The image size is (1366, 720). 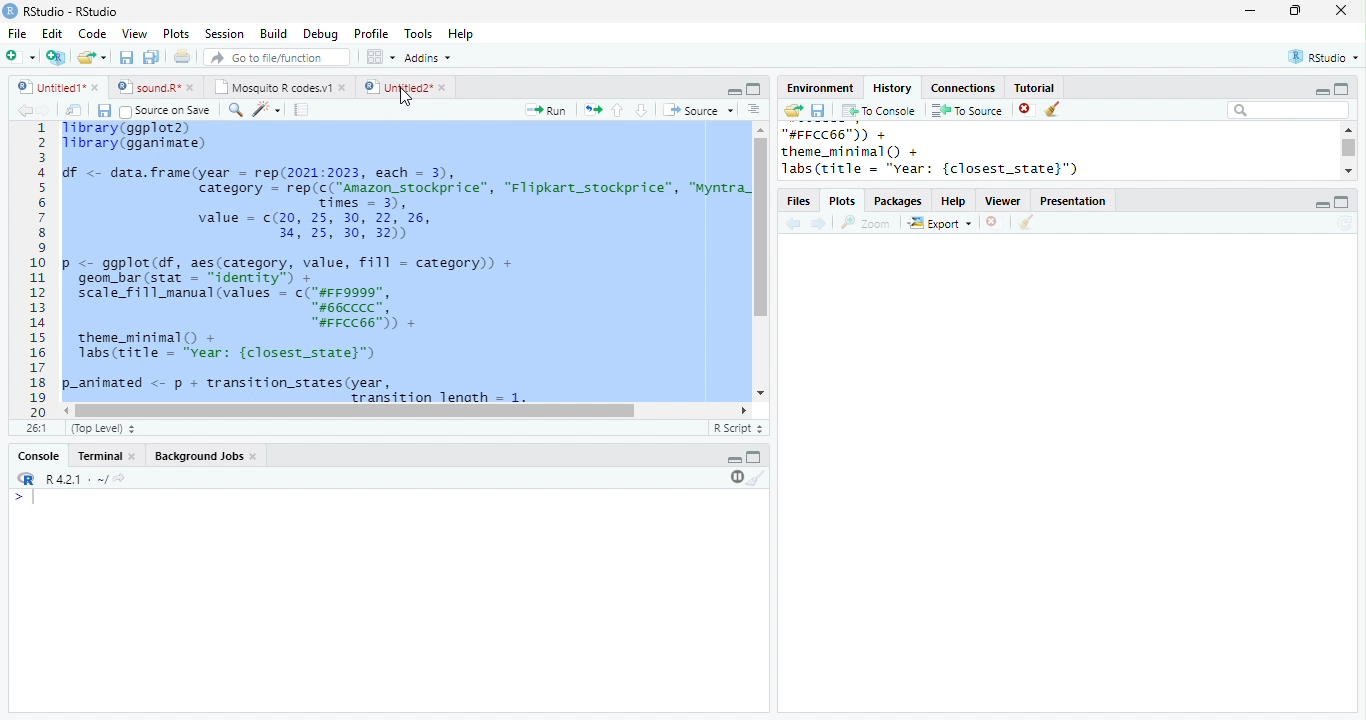 What do you see at coordinates (418, 33) in the screenshot?
I see `Tools` at bounding box center [418, 33].